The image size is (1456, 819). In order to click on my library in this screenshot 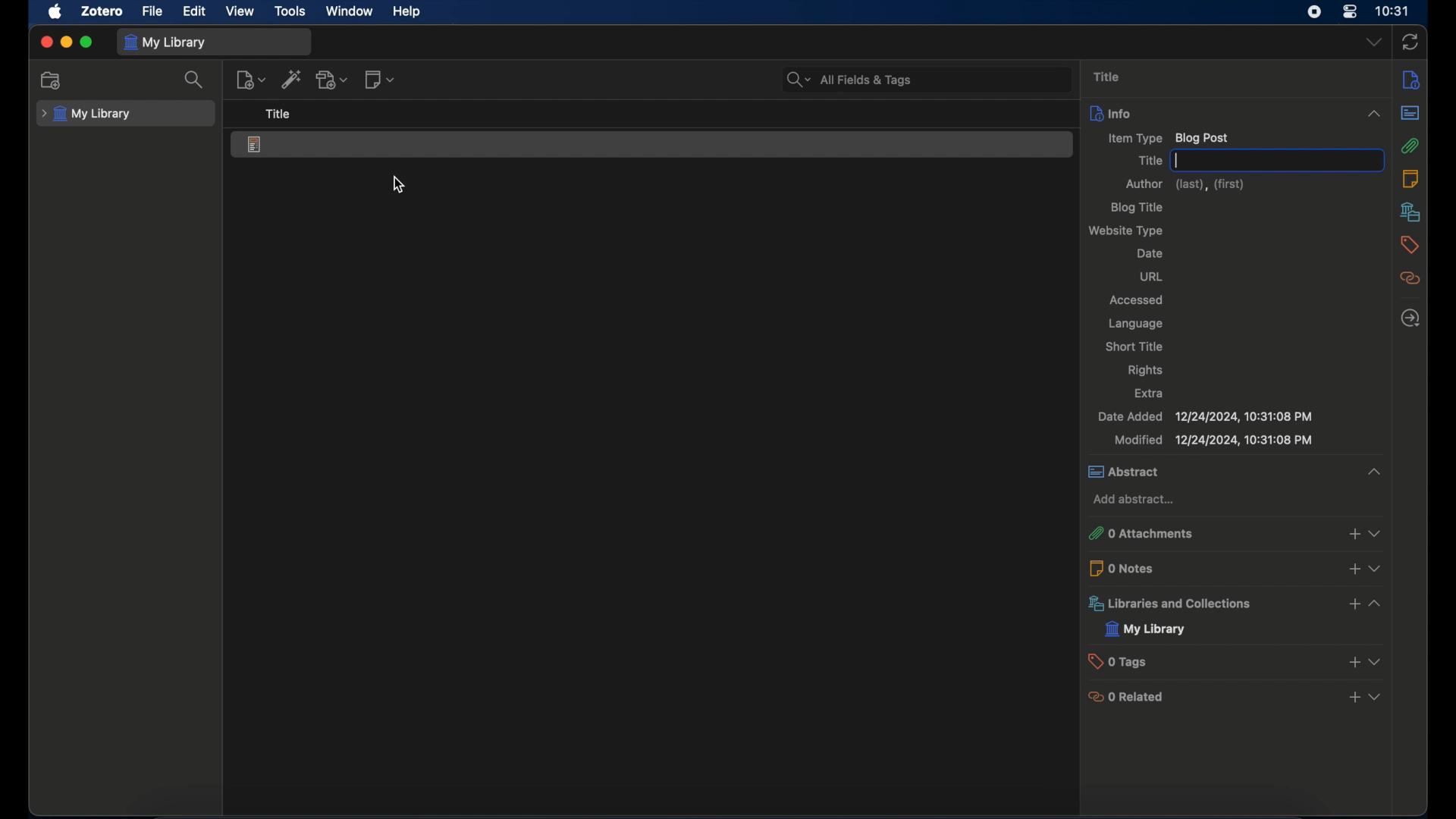, I will do `click(167, 42)`.